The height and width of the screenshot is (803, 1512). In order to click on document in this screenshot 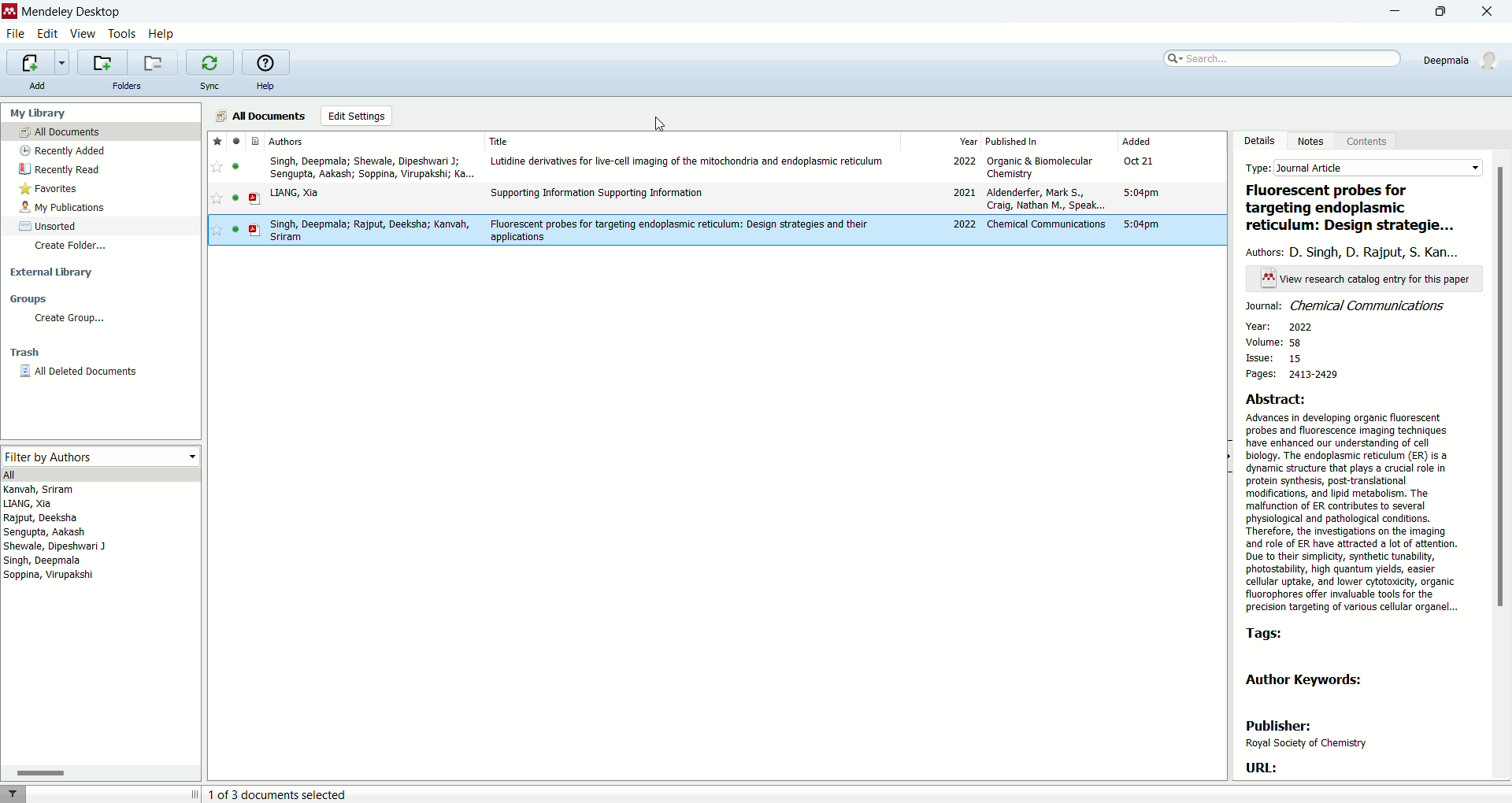, I will do `click(254, 198)`.